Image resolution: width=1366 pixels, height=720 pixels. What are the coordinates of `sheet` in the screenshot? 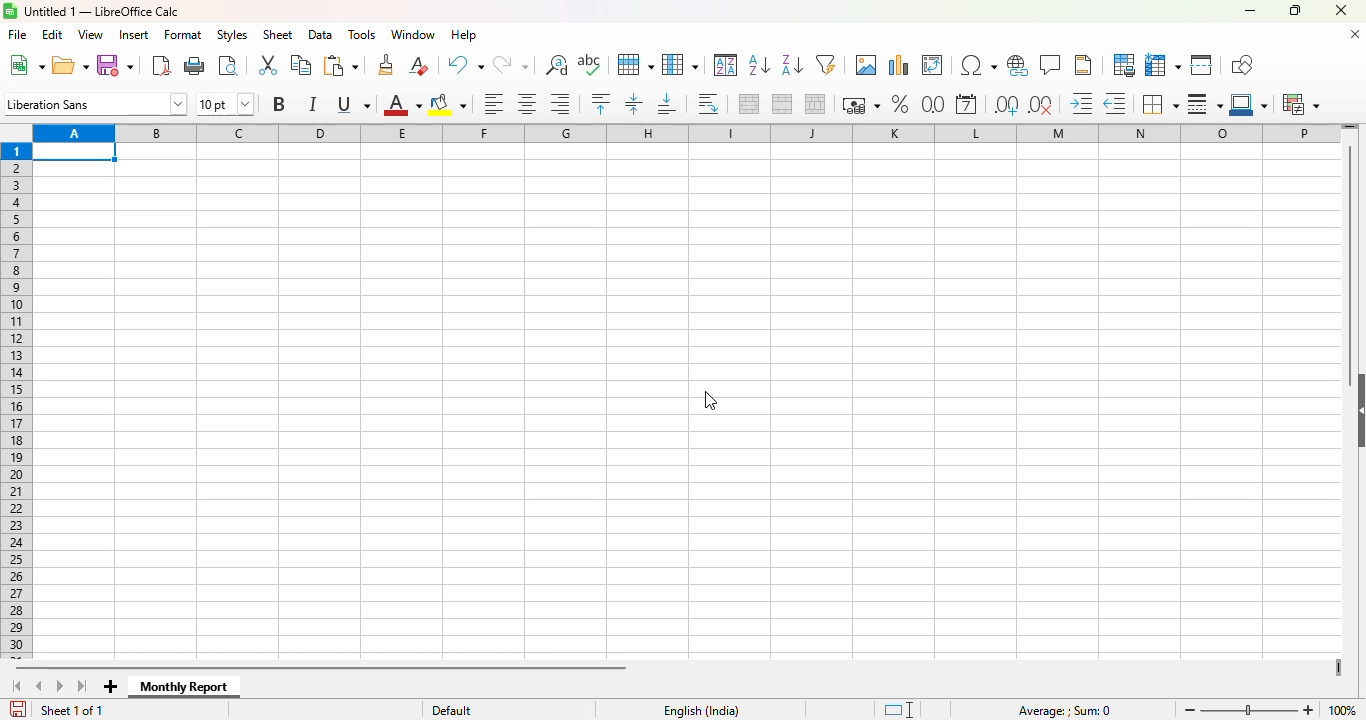 It's located at (277, 34).